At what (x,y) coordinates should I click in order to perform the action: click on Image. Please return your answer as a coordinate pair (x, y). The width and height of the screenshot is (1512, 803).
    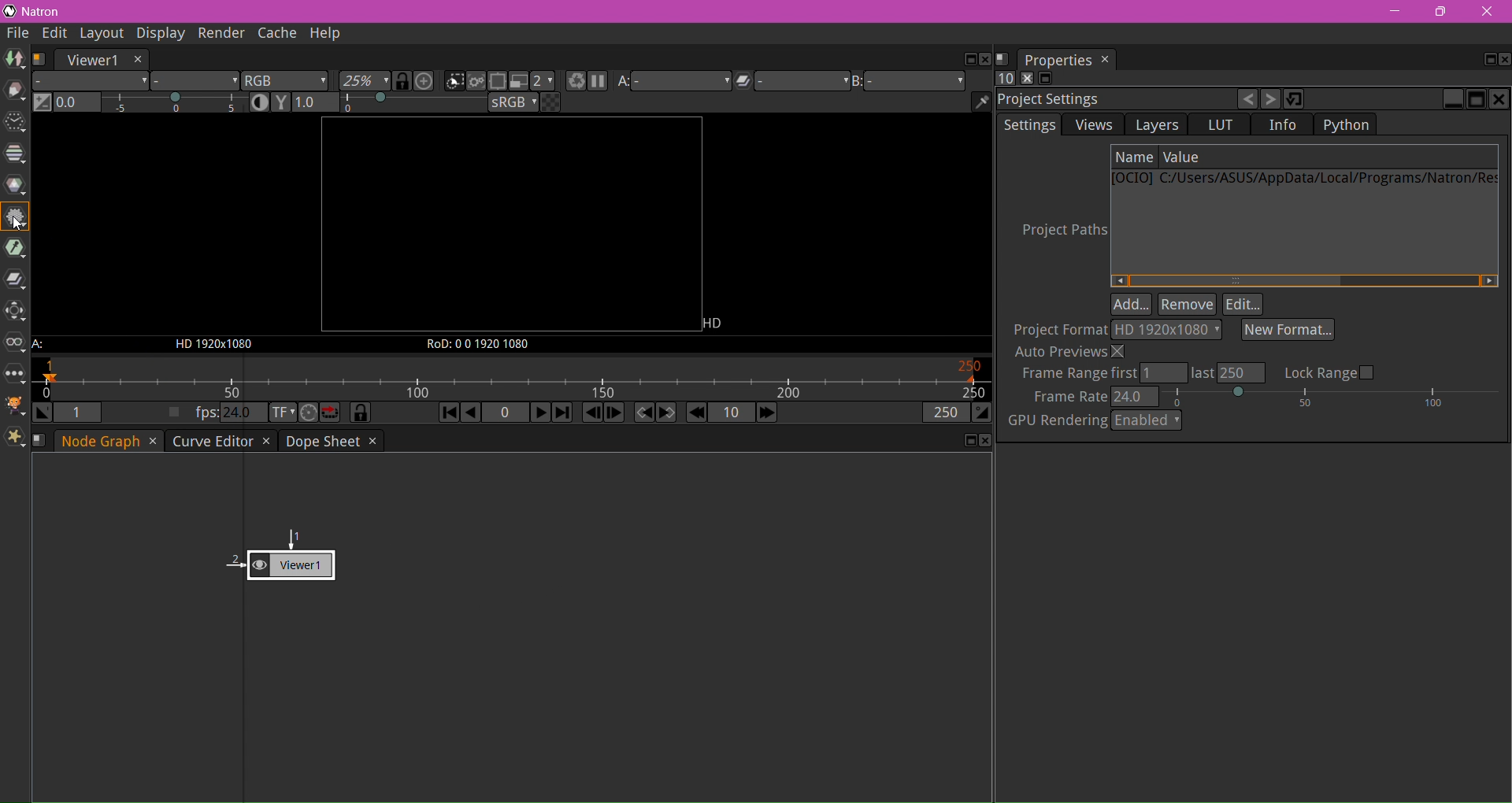
    Looking at the image, I should click on (14, 60).